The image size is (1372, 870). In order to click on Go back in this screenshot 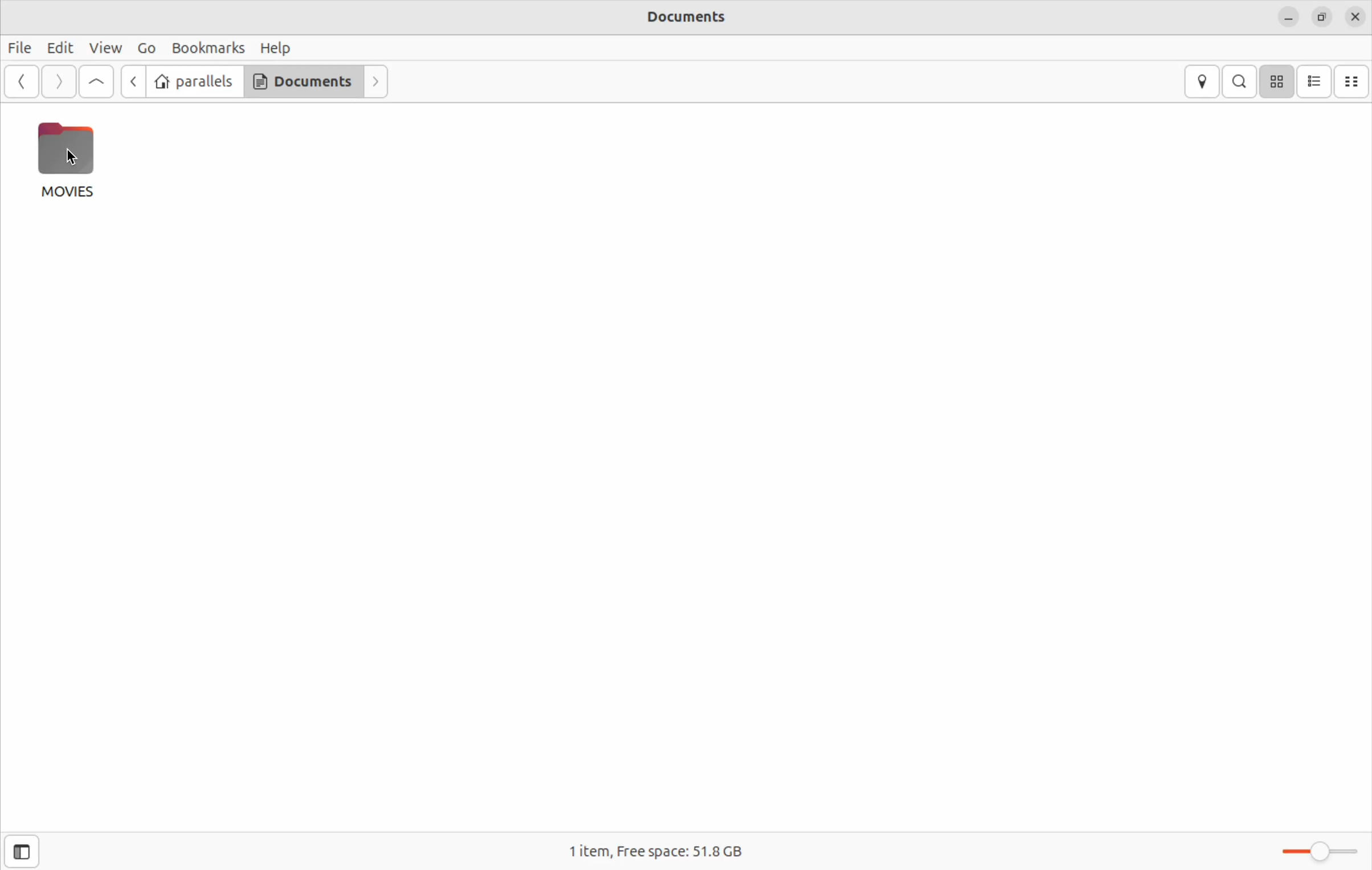, I will do `click(19, 81)`.